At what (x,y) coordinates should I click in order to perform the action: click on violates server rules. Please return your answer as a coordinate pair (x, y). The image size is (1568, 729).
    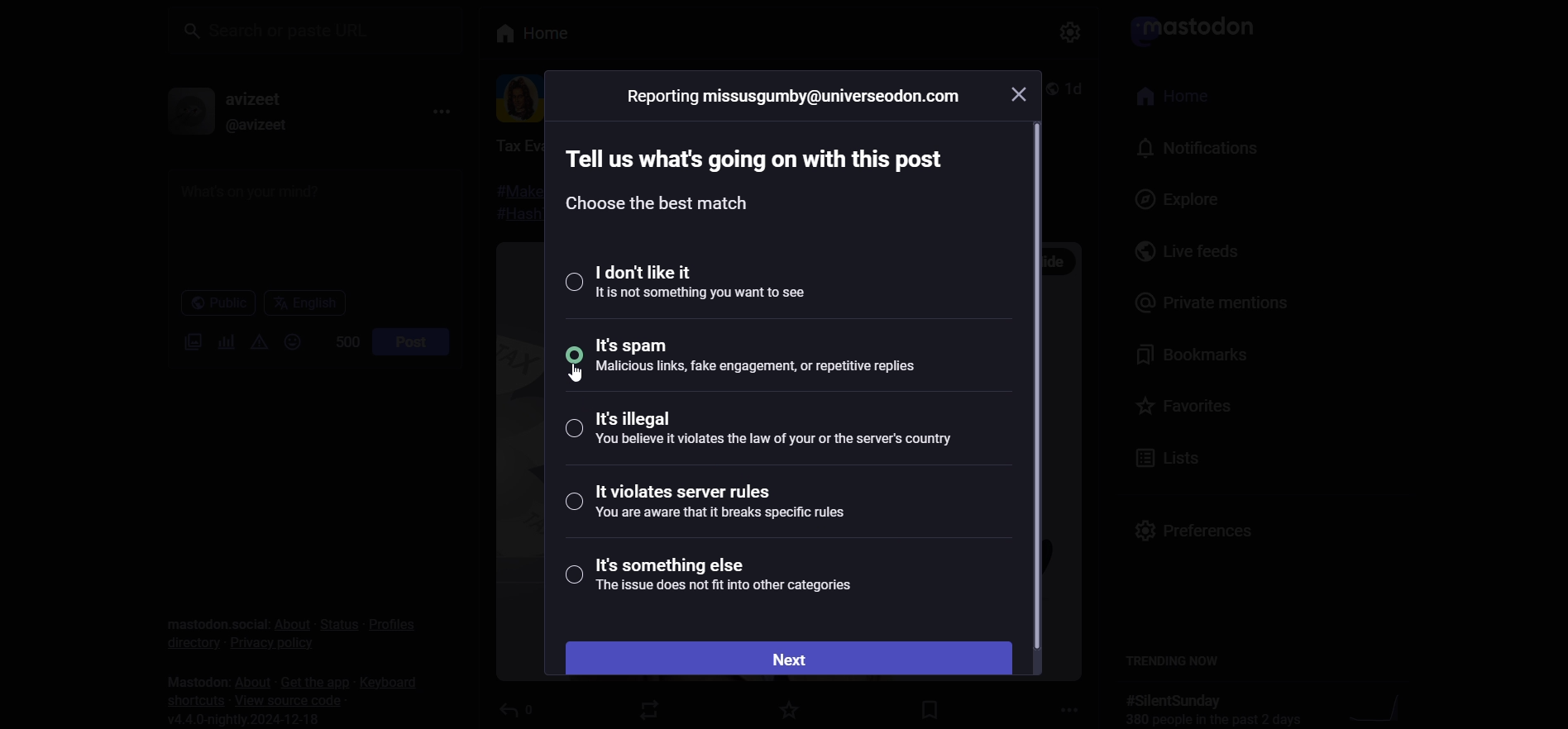
    Looking at the image, I should click on (700, 503).